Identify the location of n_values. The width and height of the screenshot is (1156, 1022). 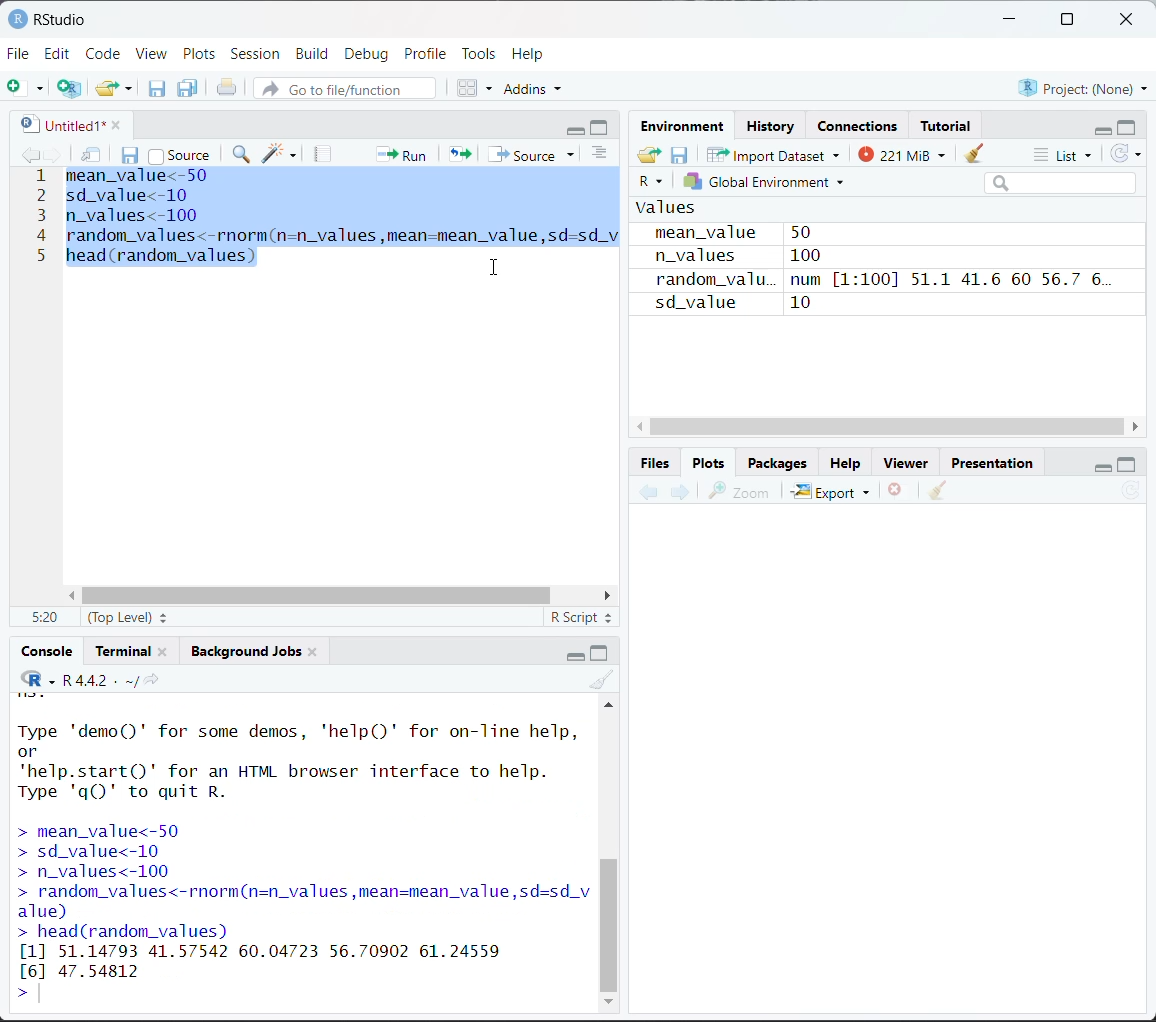
(701, 256).